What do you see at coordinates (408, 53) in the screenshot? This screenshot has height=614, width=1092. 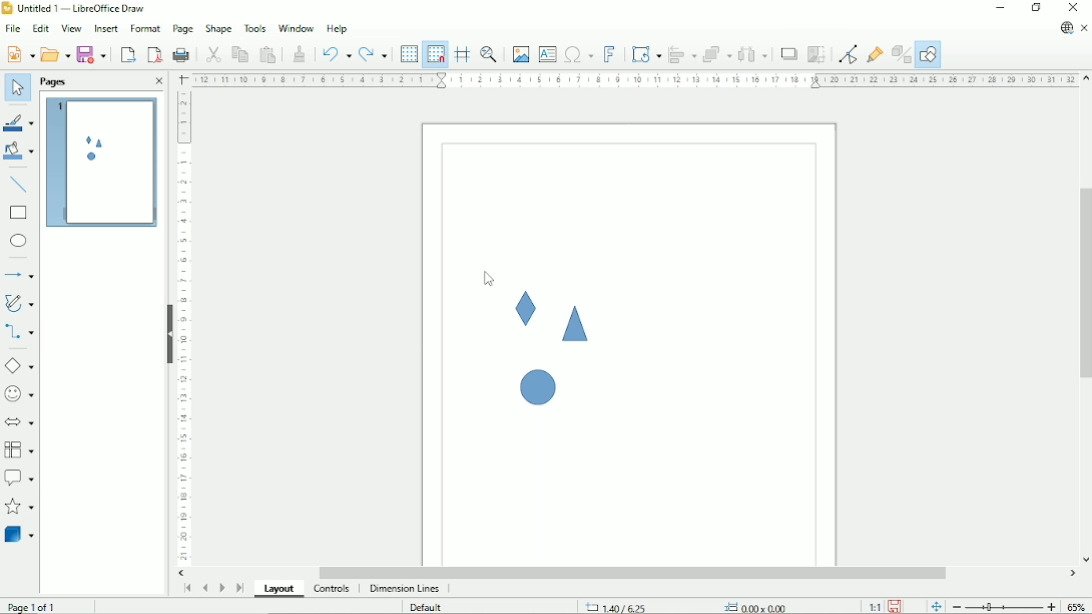 I see `Display grid` at bounding box center [408, 53].